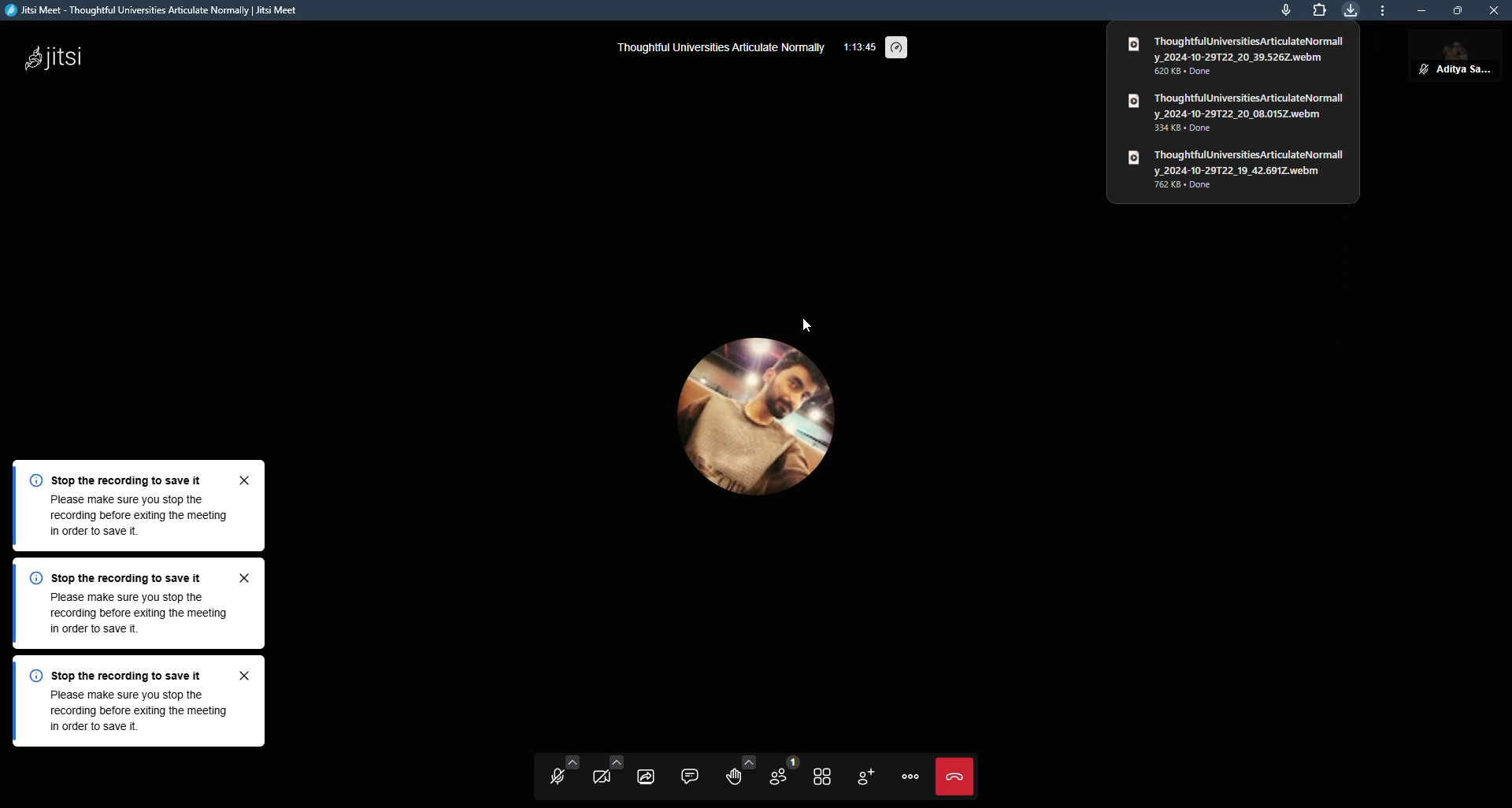  I want to click on unmute mic, so click(560, 775).